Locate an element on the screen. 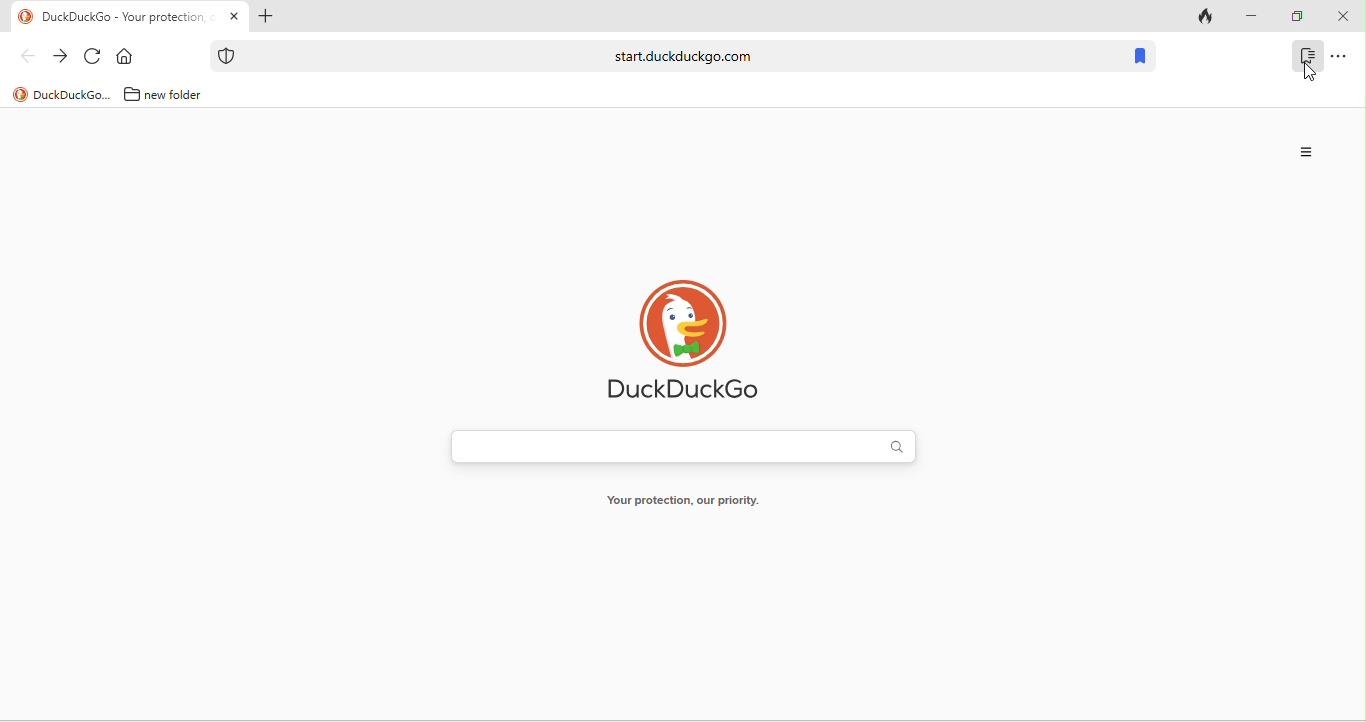 The width and height of the screenshot is (1366, 722). new folder is located at coordinates (181, 94).